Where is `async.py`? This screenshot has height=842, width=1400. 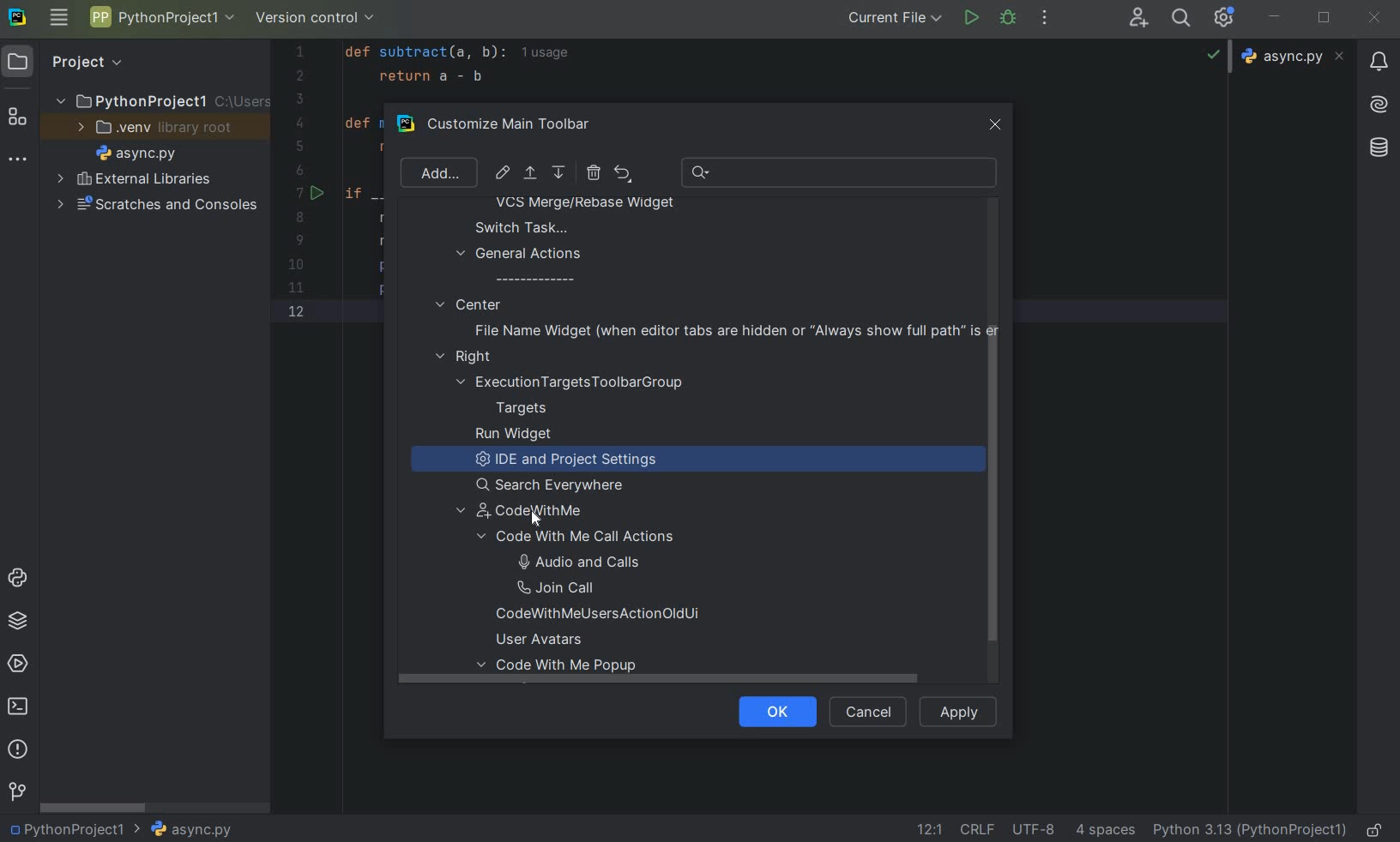 async.py is located at coordinates (1295, 57).